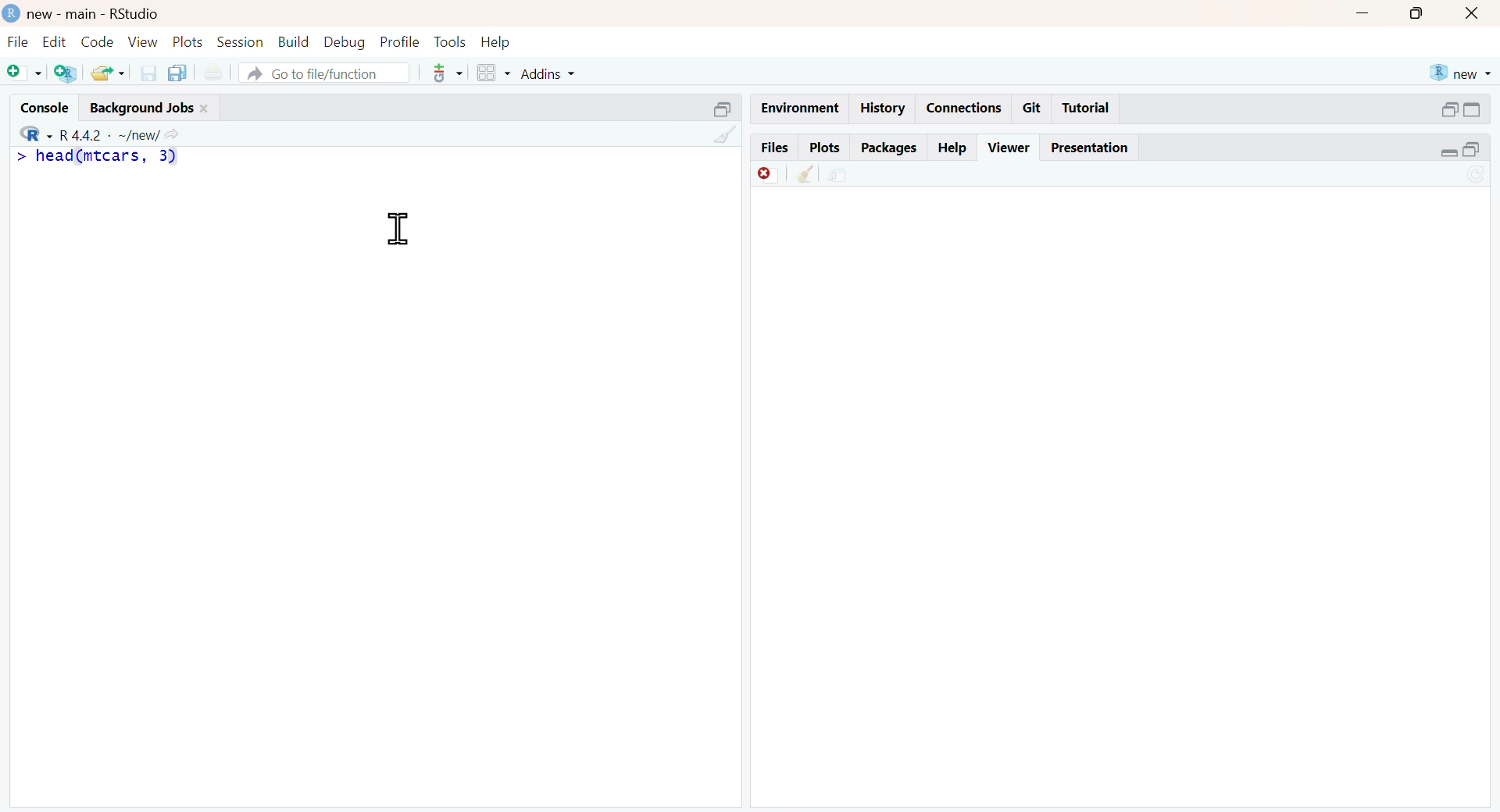 This screenshot has width=1500, height=812. Describe the element at coordinates (109, 72) in the screenshot. I see `Open file` at that location.